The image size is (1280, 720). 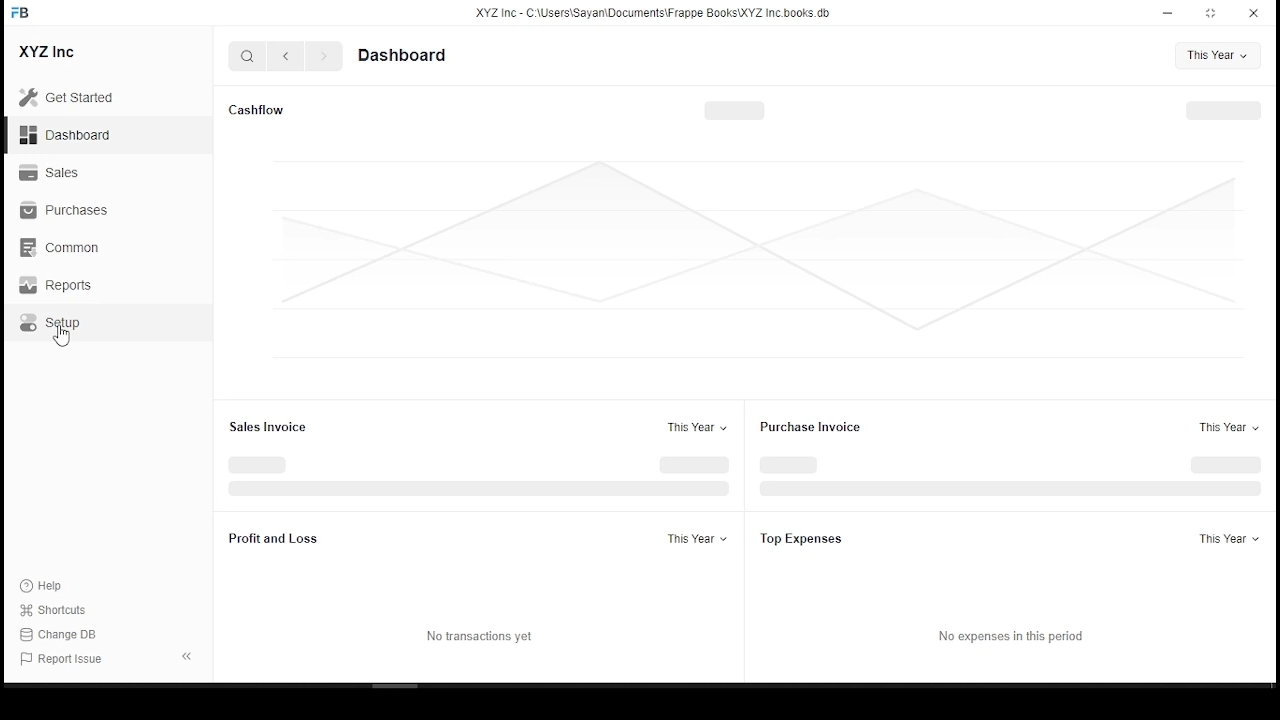 What do you see at coordinates (48, 52) in the screenshot?
I see `XYZ Inc` at bounding box center [48, 52].